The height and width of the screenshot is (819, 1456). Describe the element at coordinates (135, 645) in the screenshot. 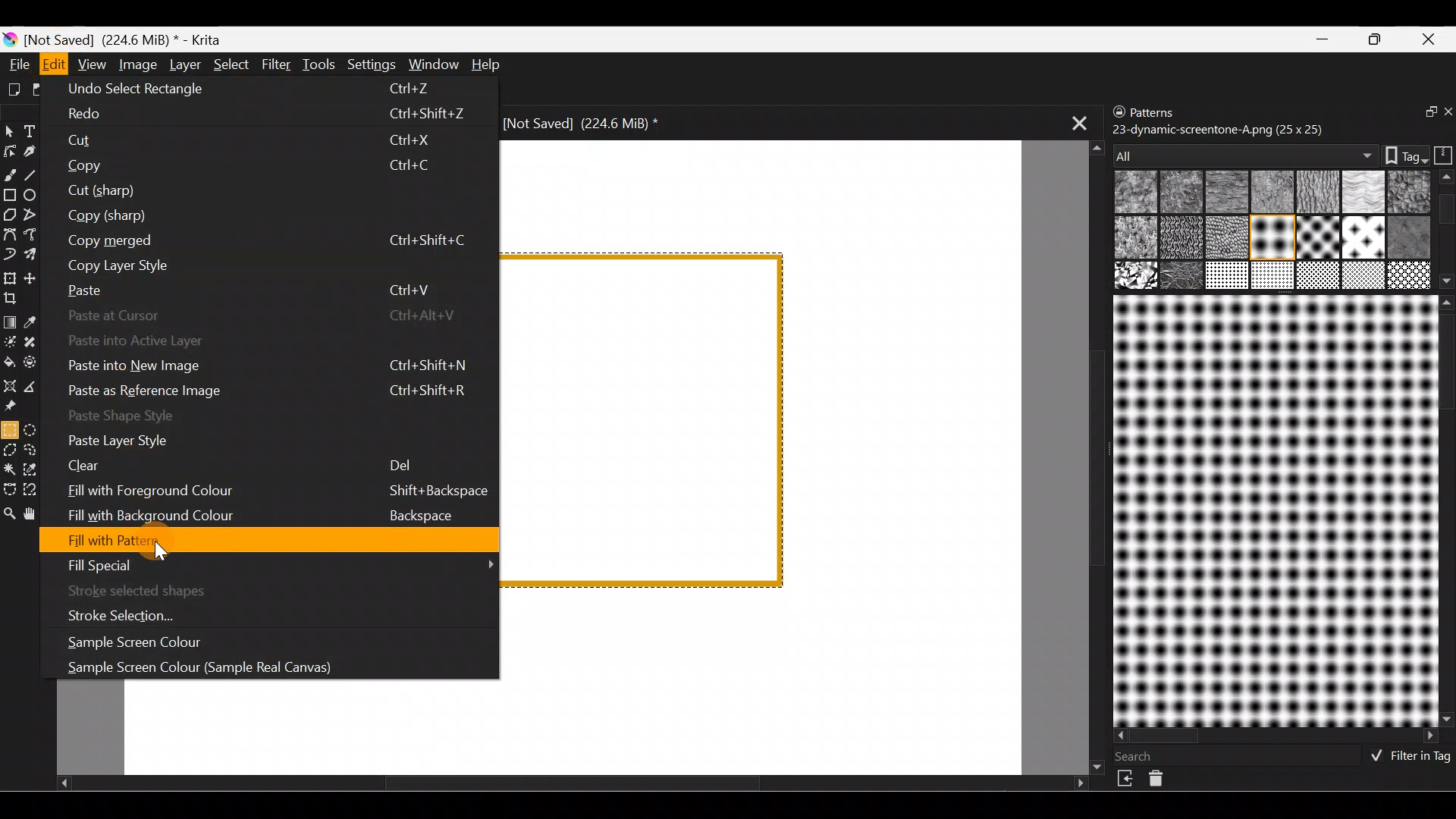

I see `Sample screen colour` at that location.